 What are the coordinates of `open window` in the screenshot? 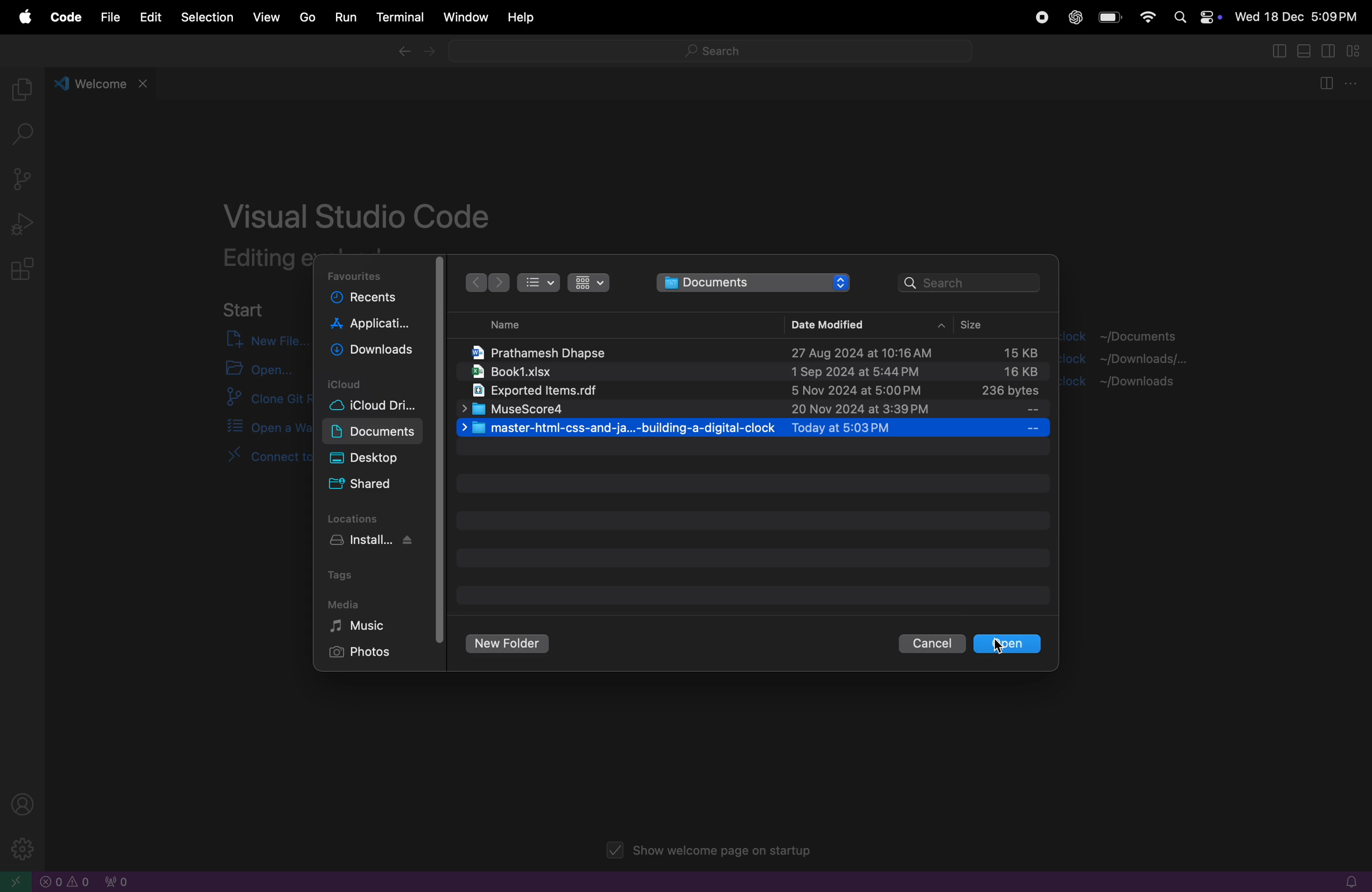 It's located at (17, 881).